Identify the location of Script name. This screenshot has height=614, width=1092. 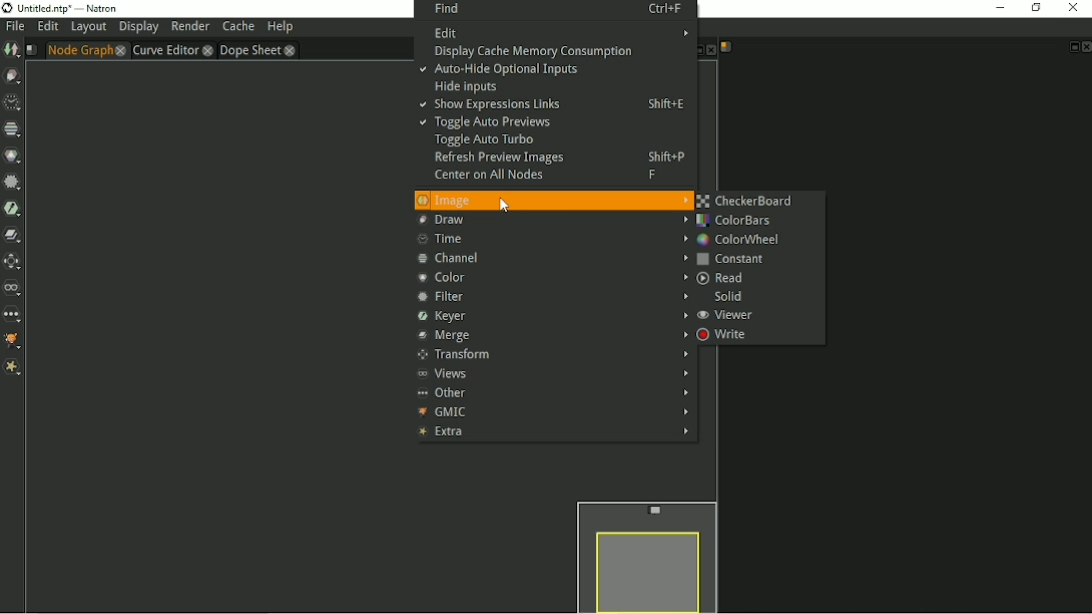
(31, 50).